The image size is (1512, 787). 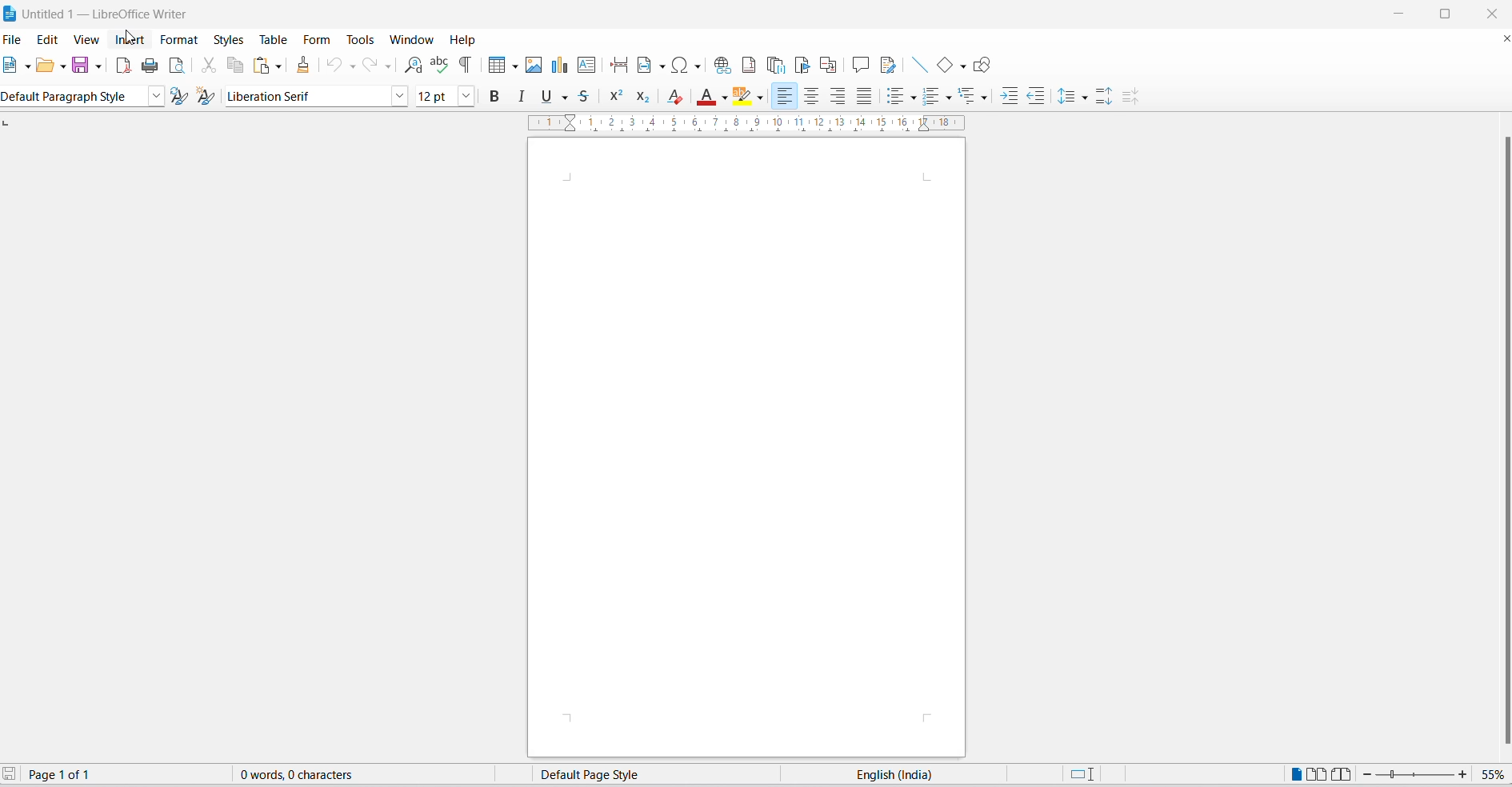 I want to click on view, so click(x=87, y=38).